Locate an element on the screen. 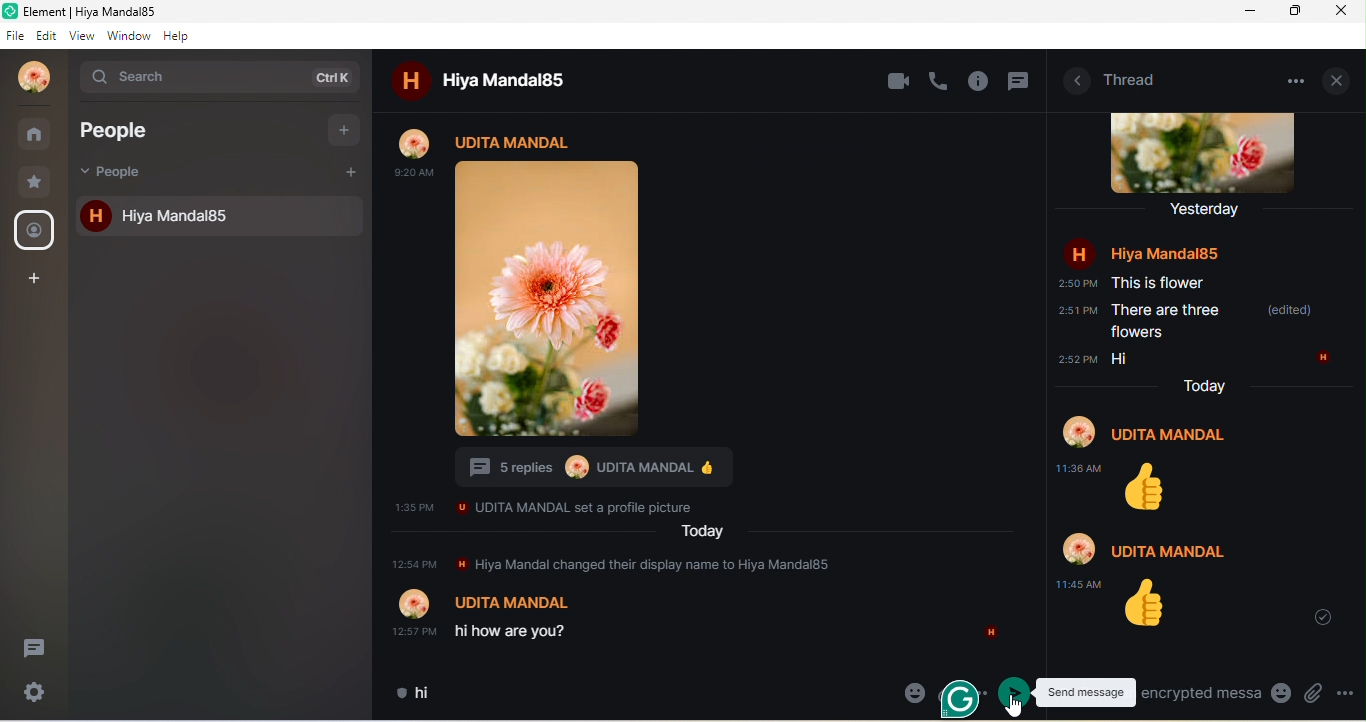  Profile picture is located at coordinates (415, 603).